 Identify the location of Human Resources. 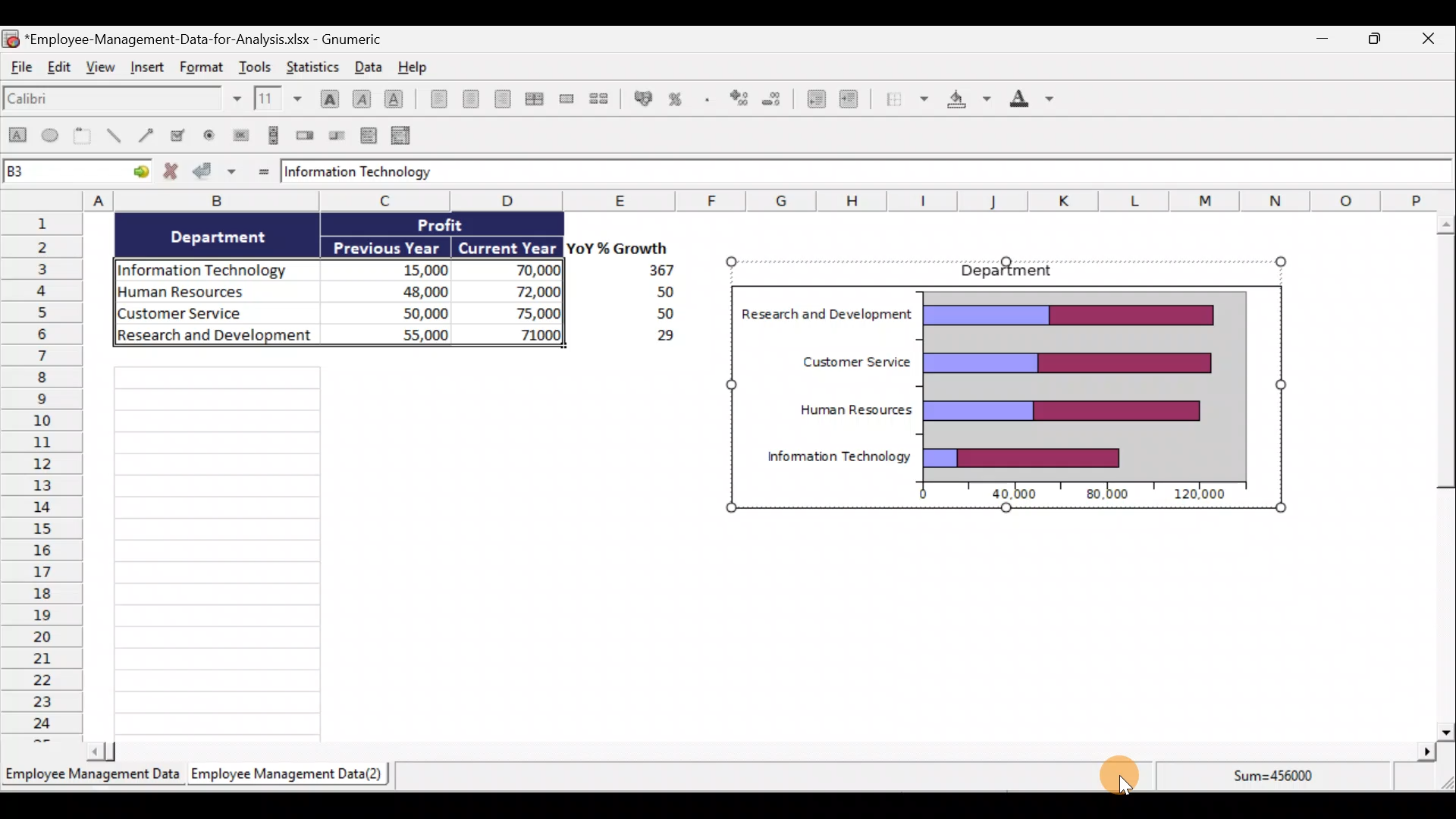
(854, 406).